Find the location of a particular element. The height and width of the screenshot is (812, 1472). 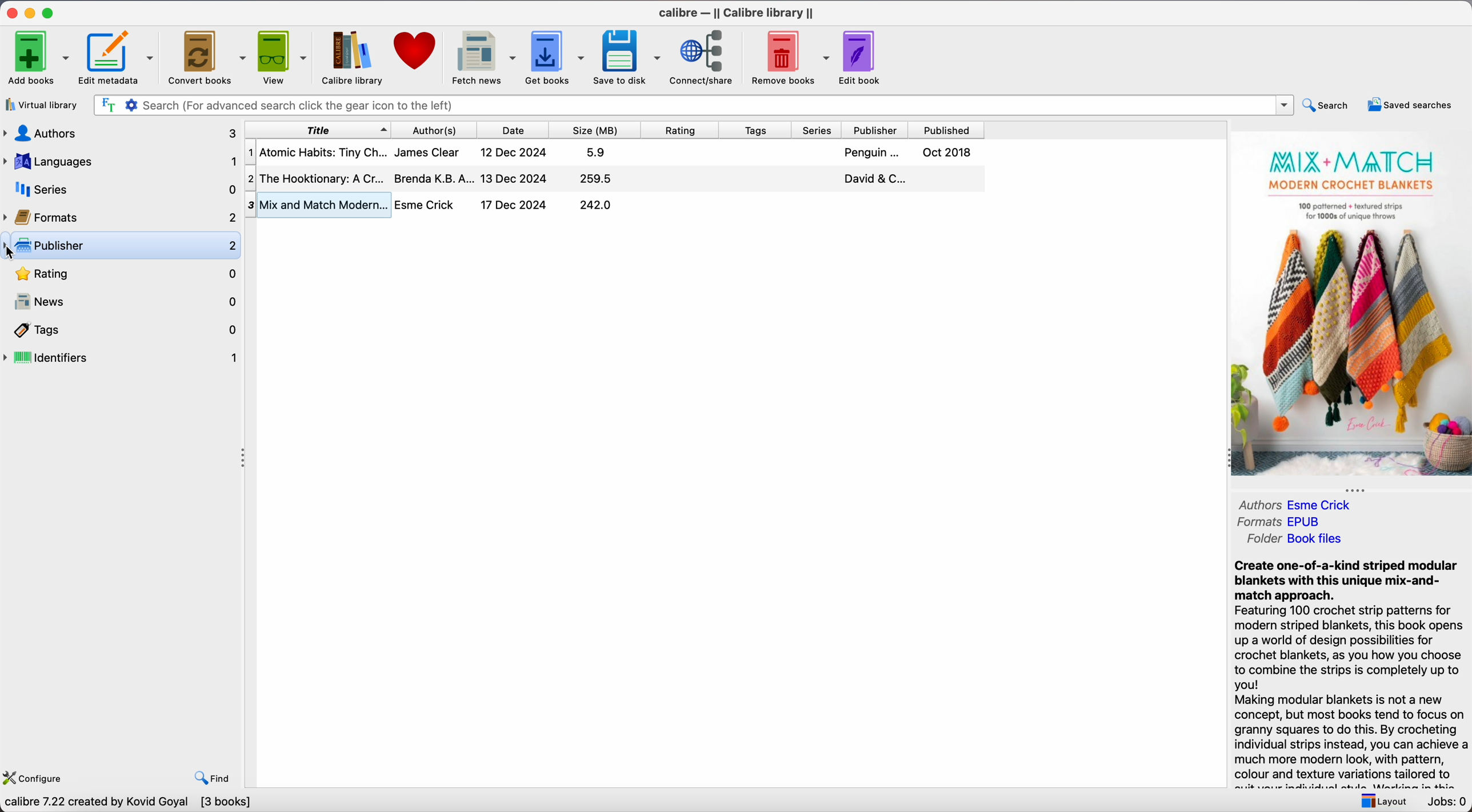

add books is located at coordinates (38, 56).